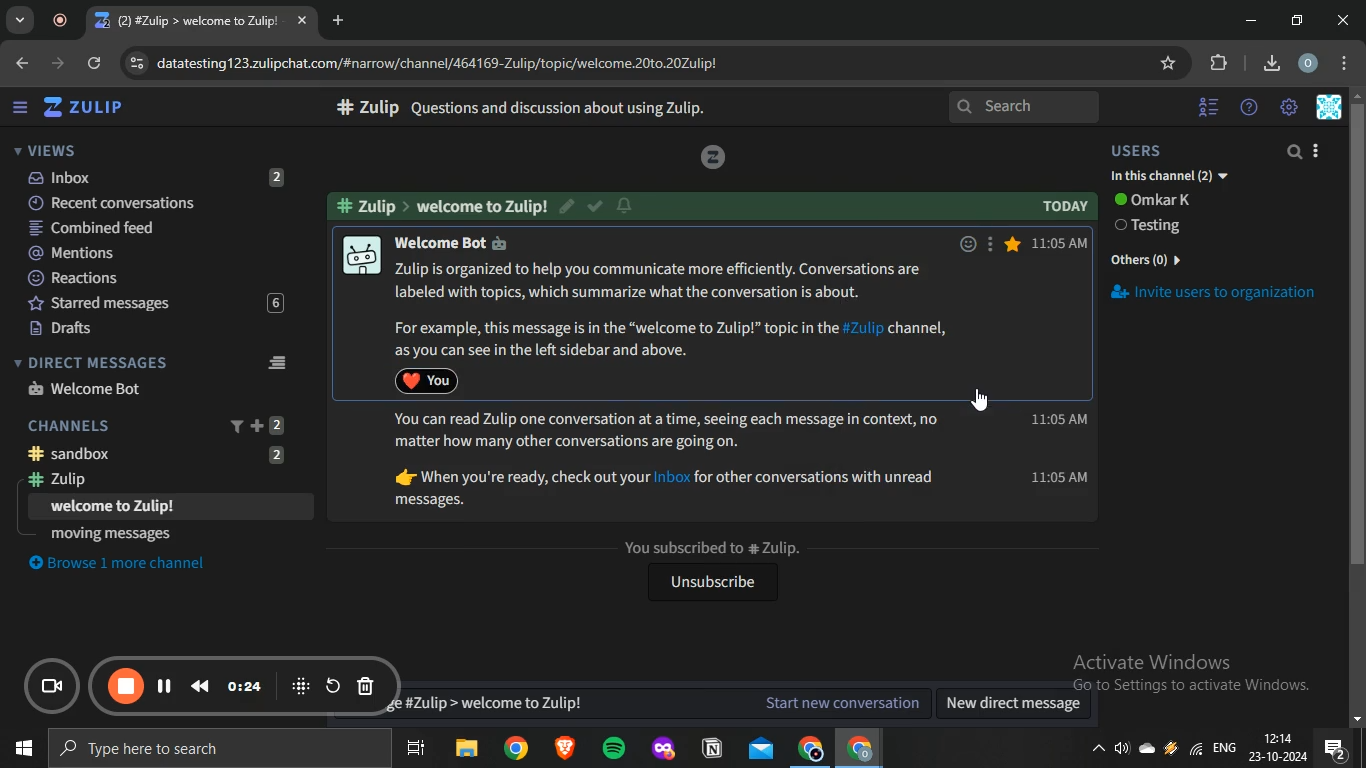 The height and width of the screenshot is (768, 1366). I want to click on volume, so click(1123, 752).